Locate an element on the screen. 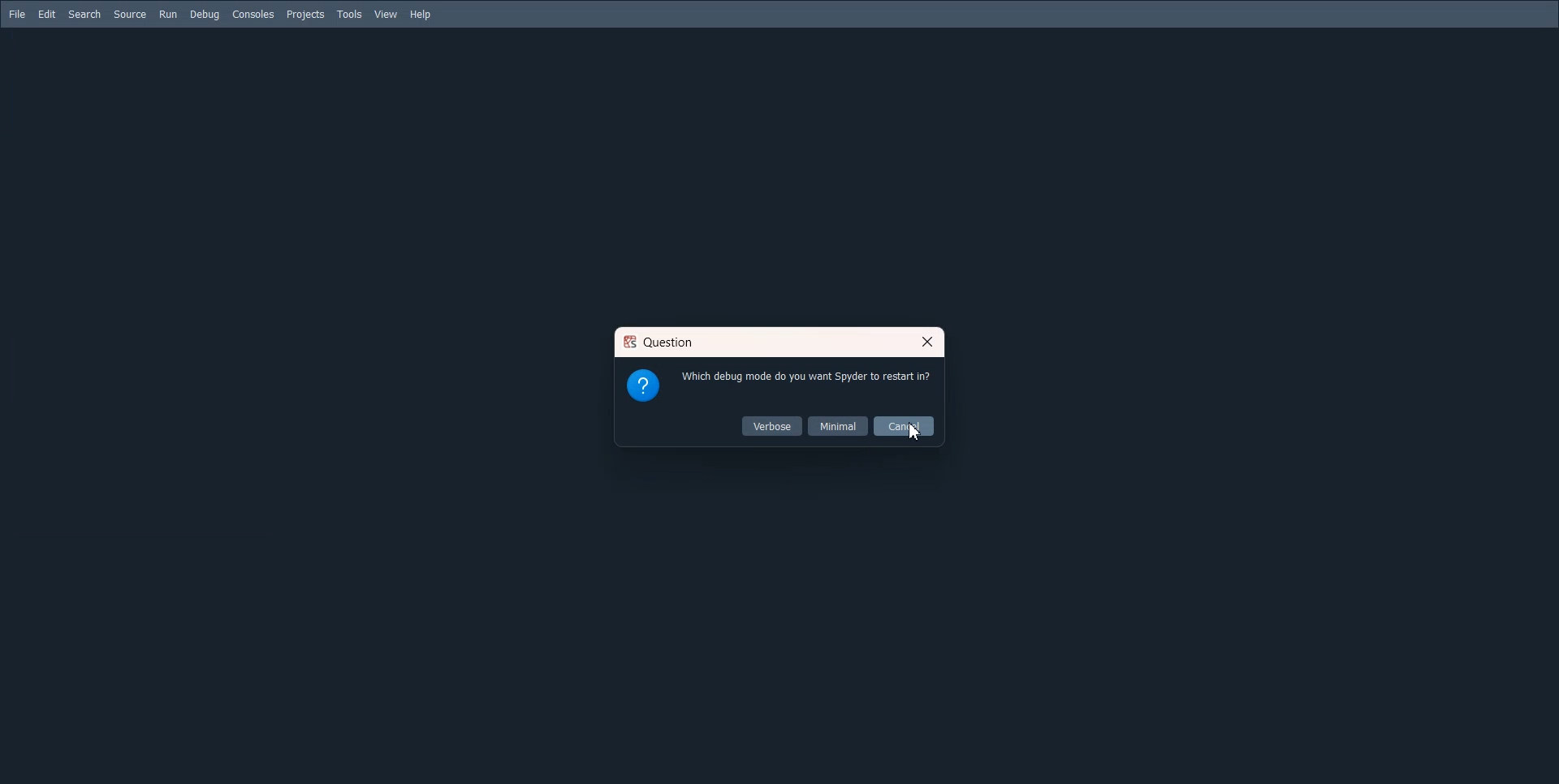 The image size is (1559, 784). Run is located at coordinates (167, 14).